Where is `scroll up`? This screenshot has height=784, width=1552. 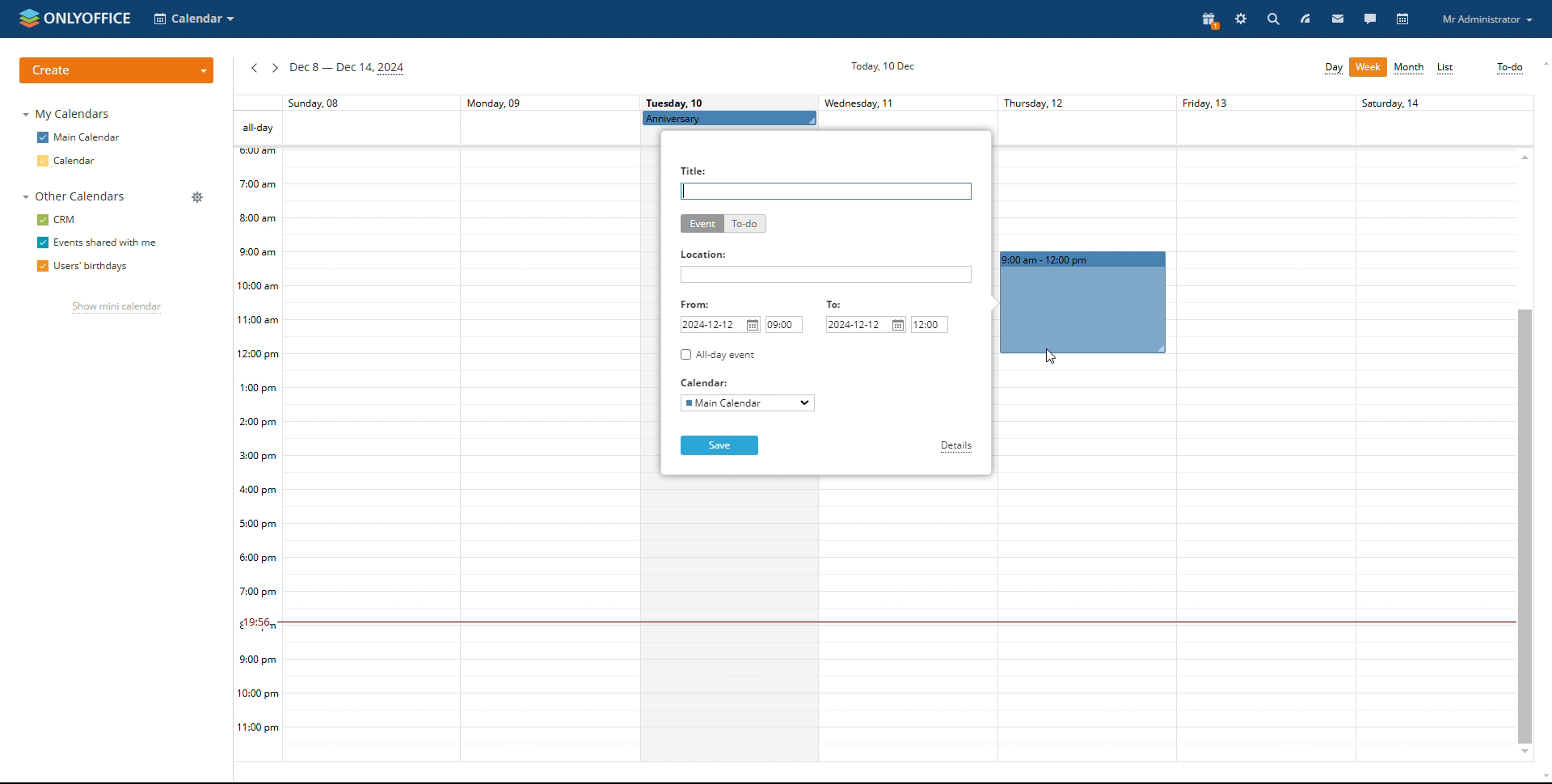 scroll up is located at coordinates (1542, 64).